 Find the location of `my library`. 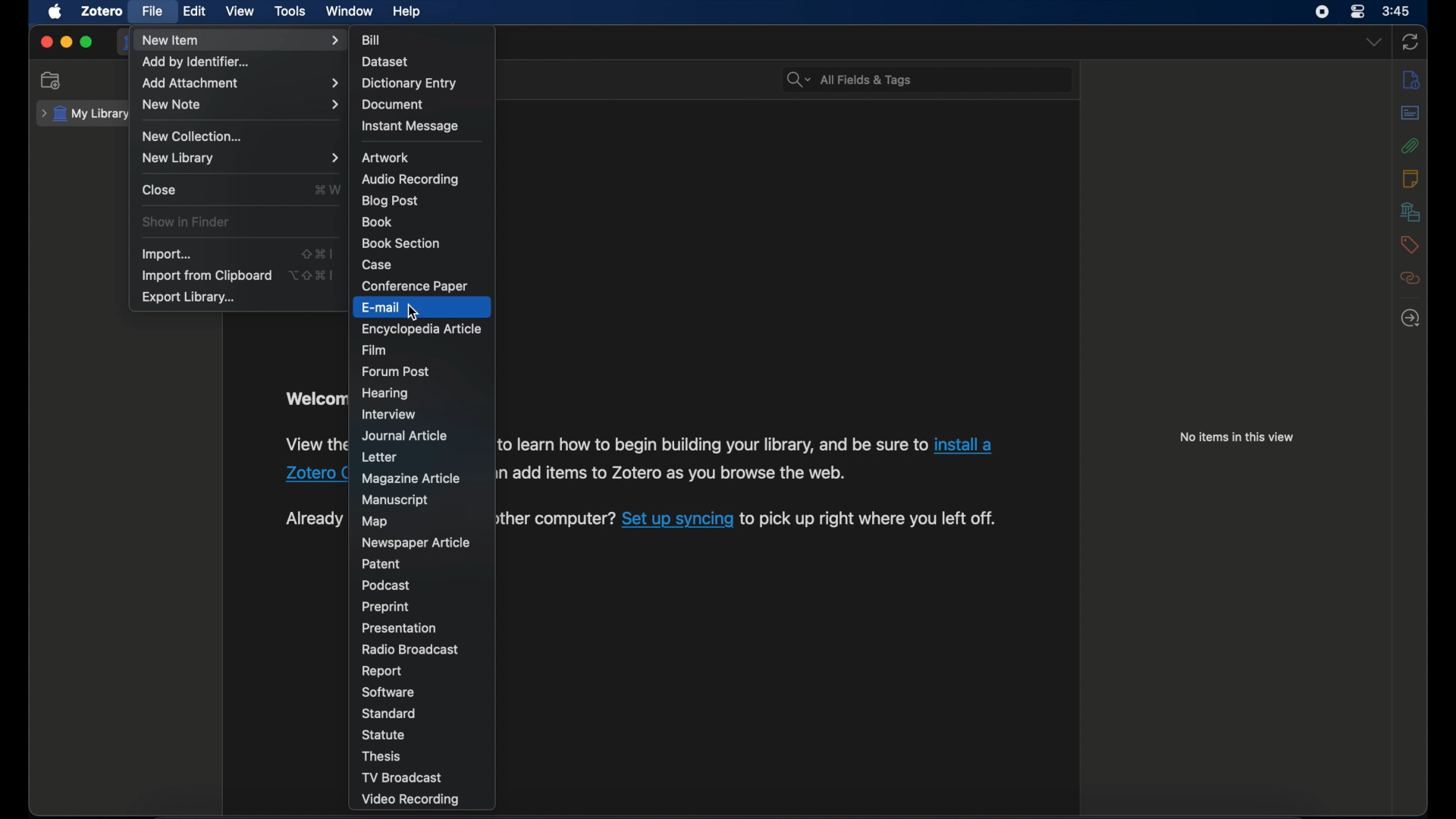

my library is located at coordinates (86, 114).